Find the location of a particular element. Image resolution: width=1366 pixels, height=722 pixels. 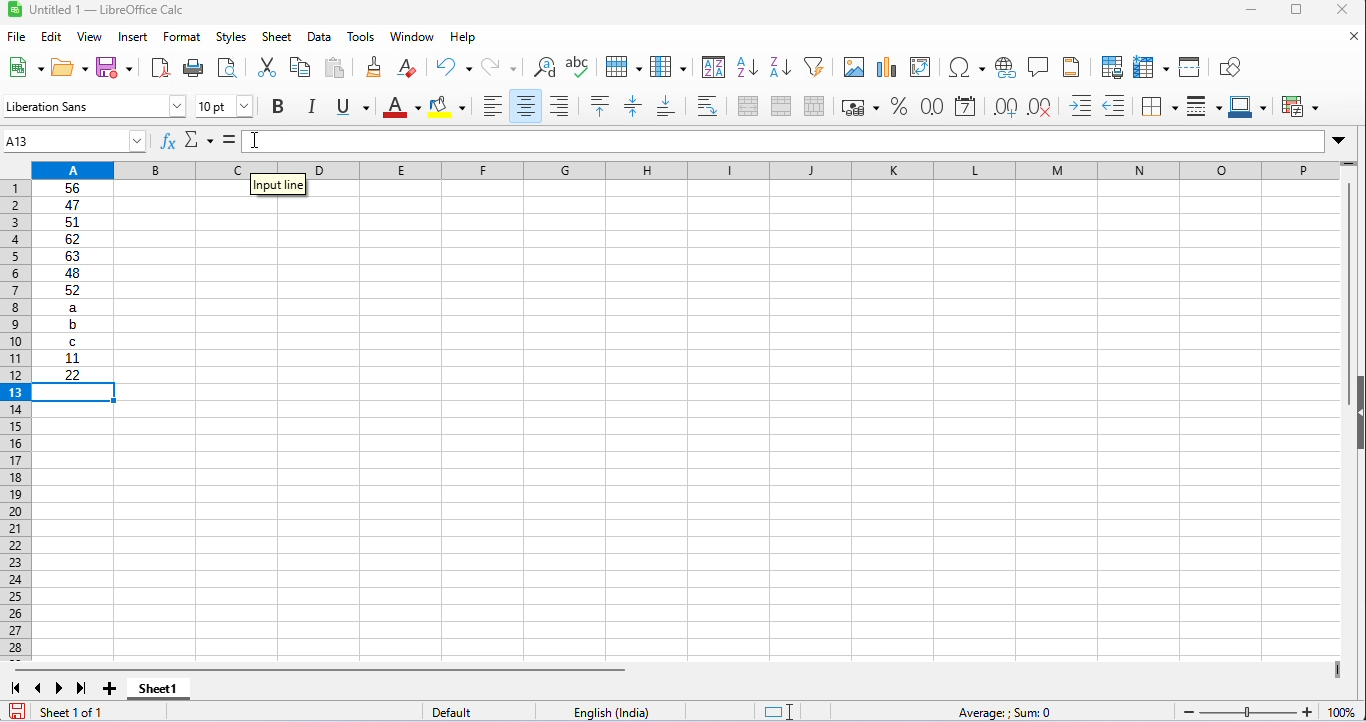

22 is located at coordinates (73, 374).